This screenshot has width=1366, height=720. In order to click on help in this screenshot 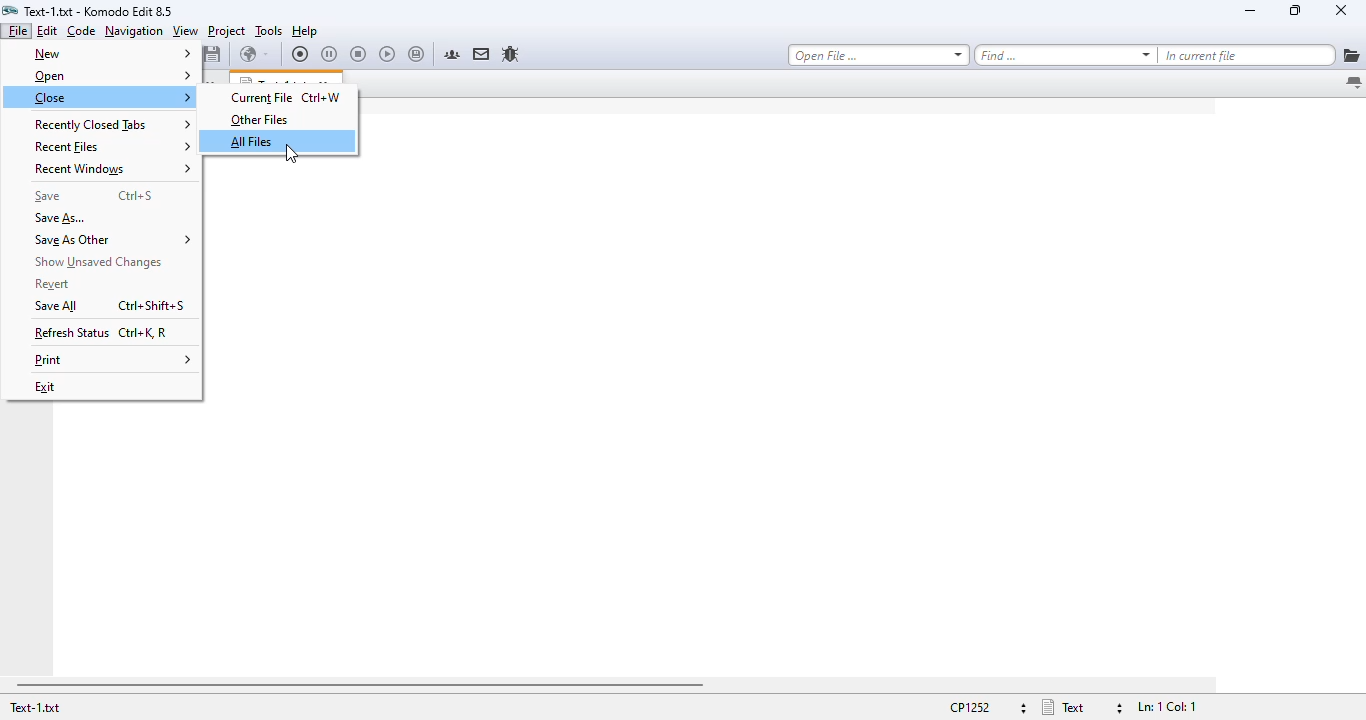, I will do `click(305, 31)`.